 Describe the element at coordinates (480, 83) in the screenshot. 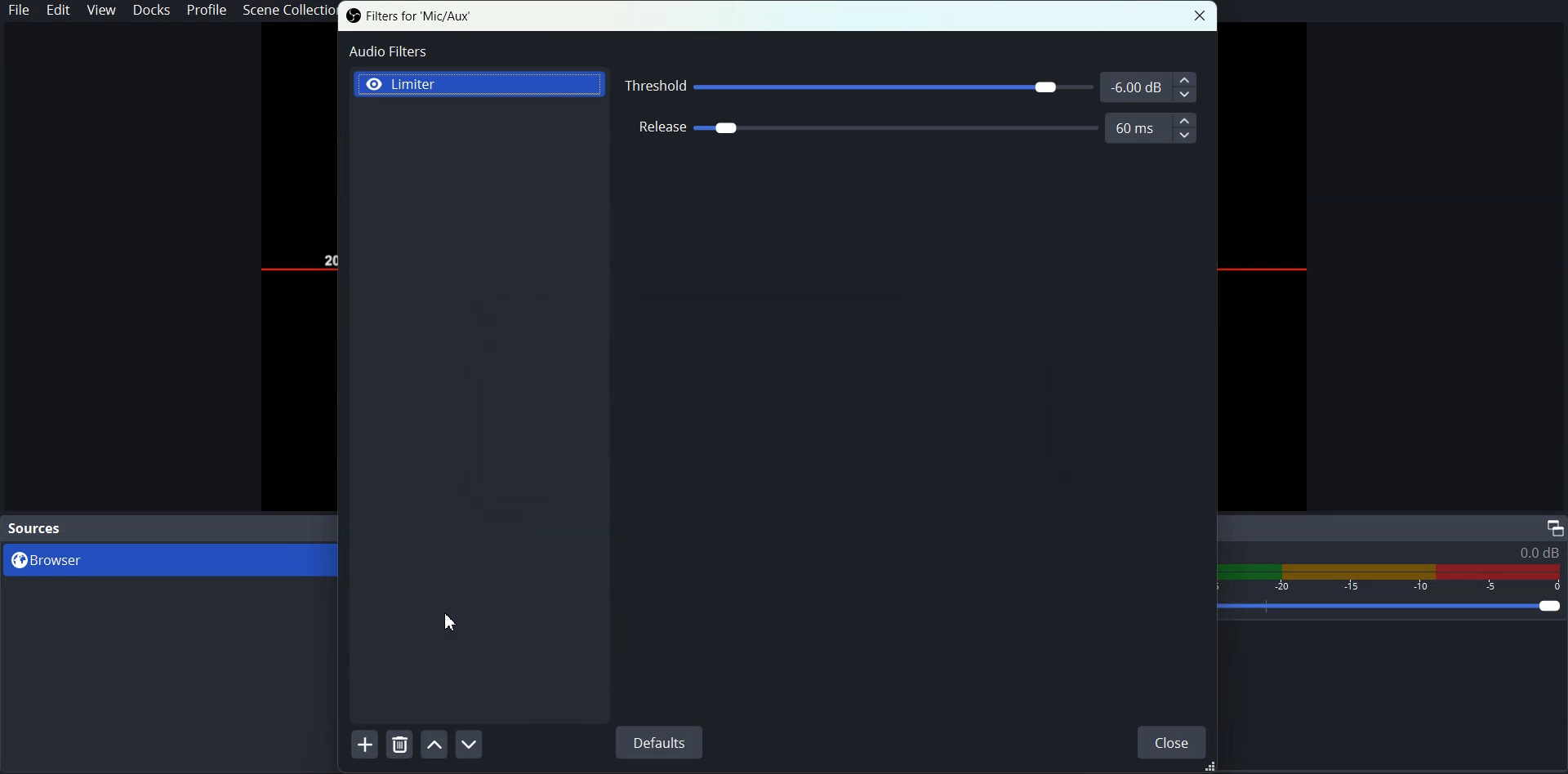

I see `Limiter` at that location.